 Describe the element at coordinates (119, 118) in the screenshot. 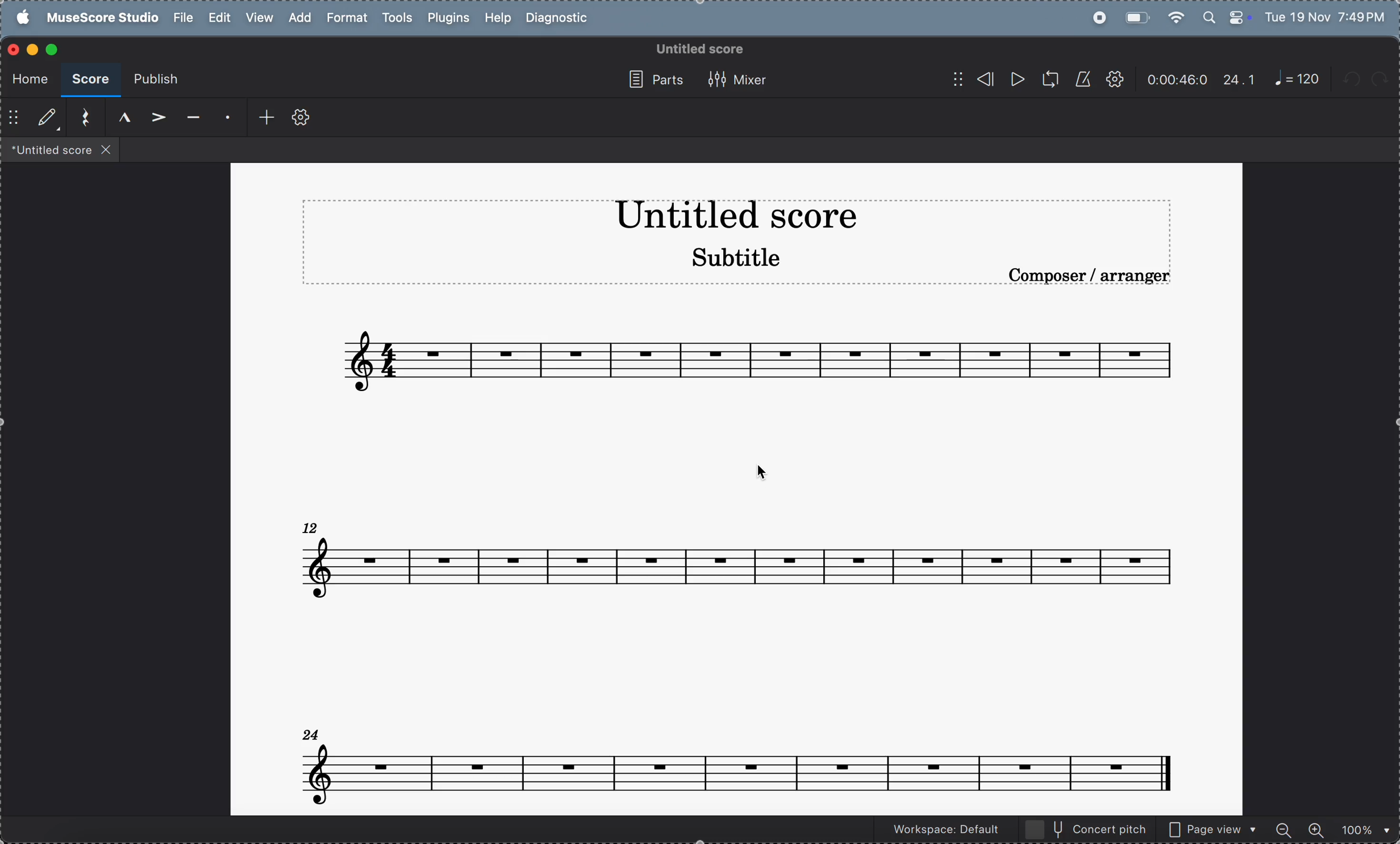

I see `marcato` at that location.